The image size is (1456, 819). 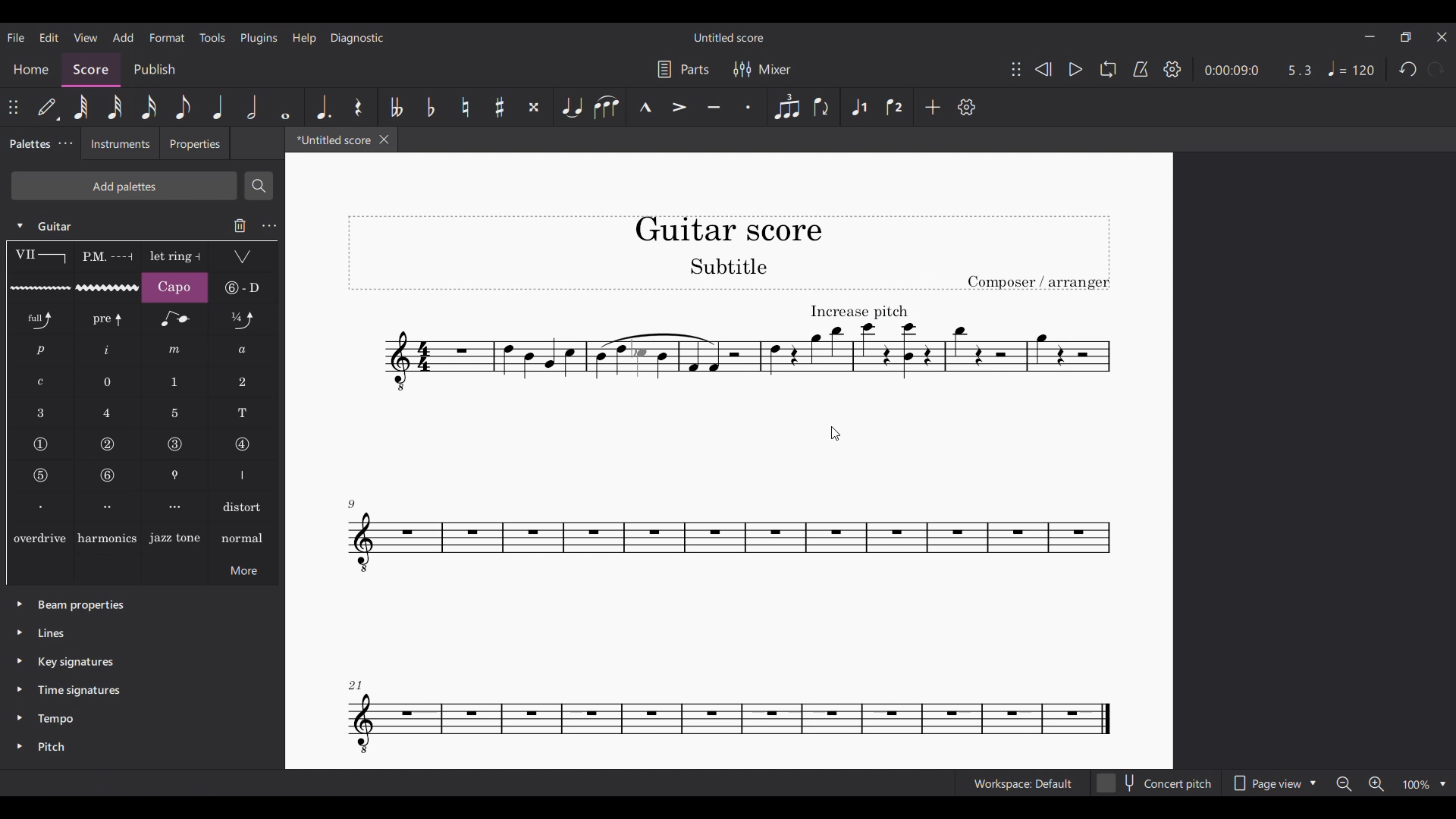 I want to click on Guitar vibrato wide, so click(x=108, y=287).